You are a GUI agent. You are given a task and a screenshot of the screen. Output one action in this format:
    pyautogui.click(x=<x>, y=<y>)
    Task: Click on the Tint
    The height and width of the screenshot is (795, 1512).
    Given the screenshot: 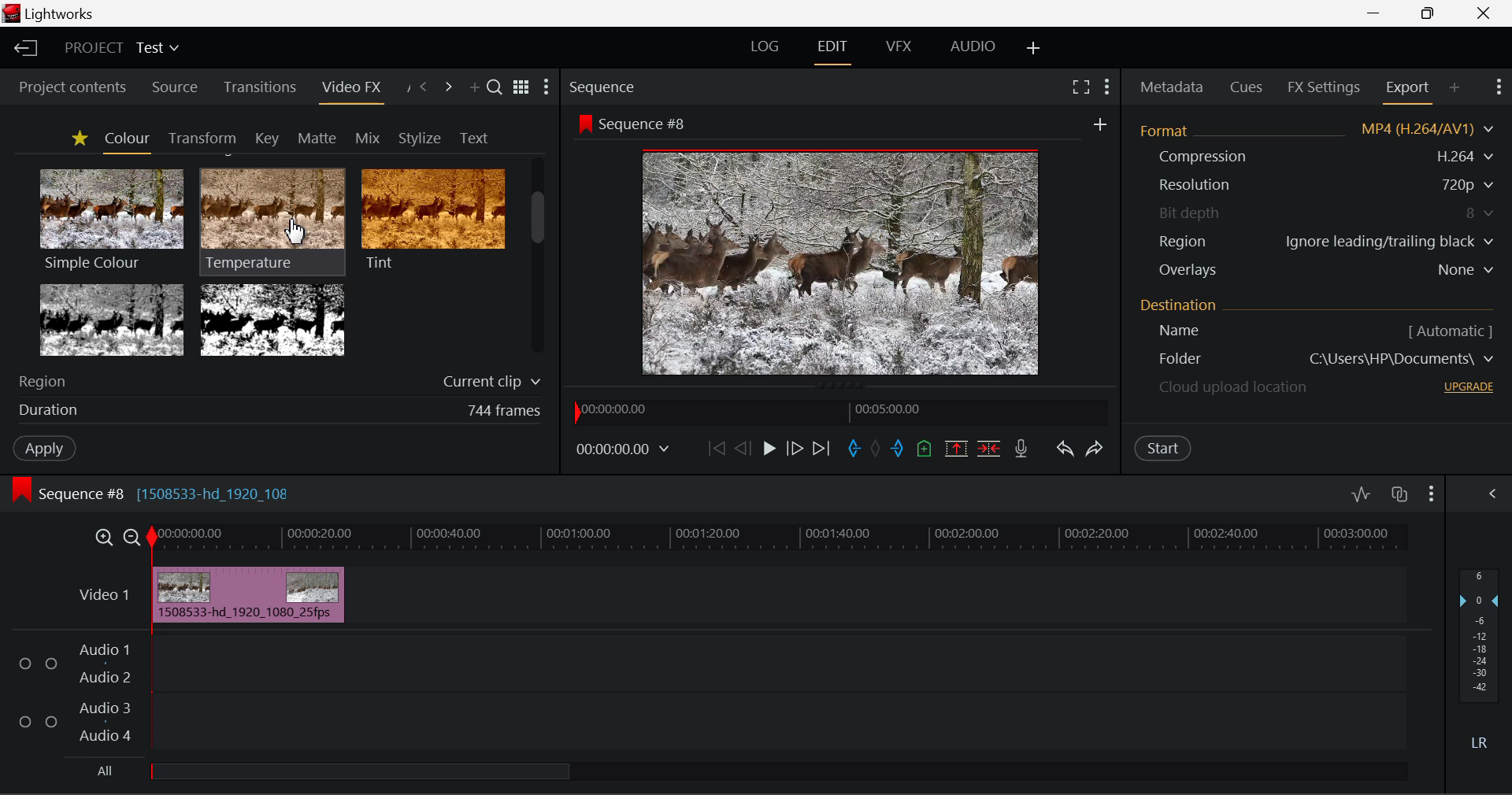 What is the action you would take?
    pyautogui.click(x=432, y=219)
    